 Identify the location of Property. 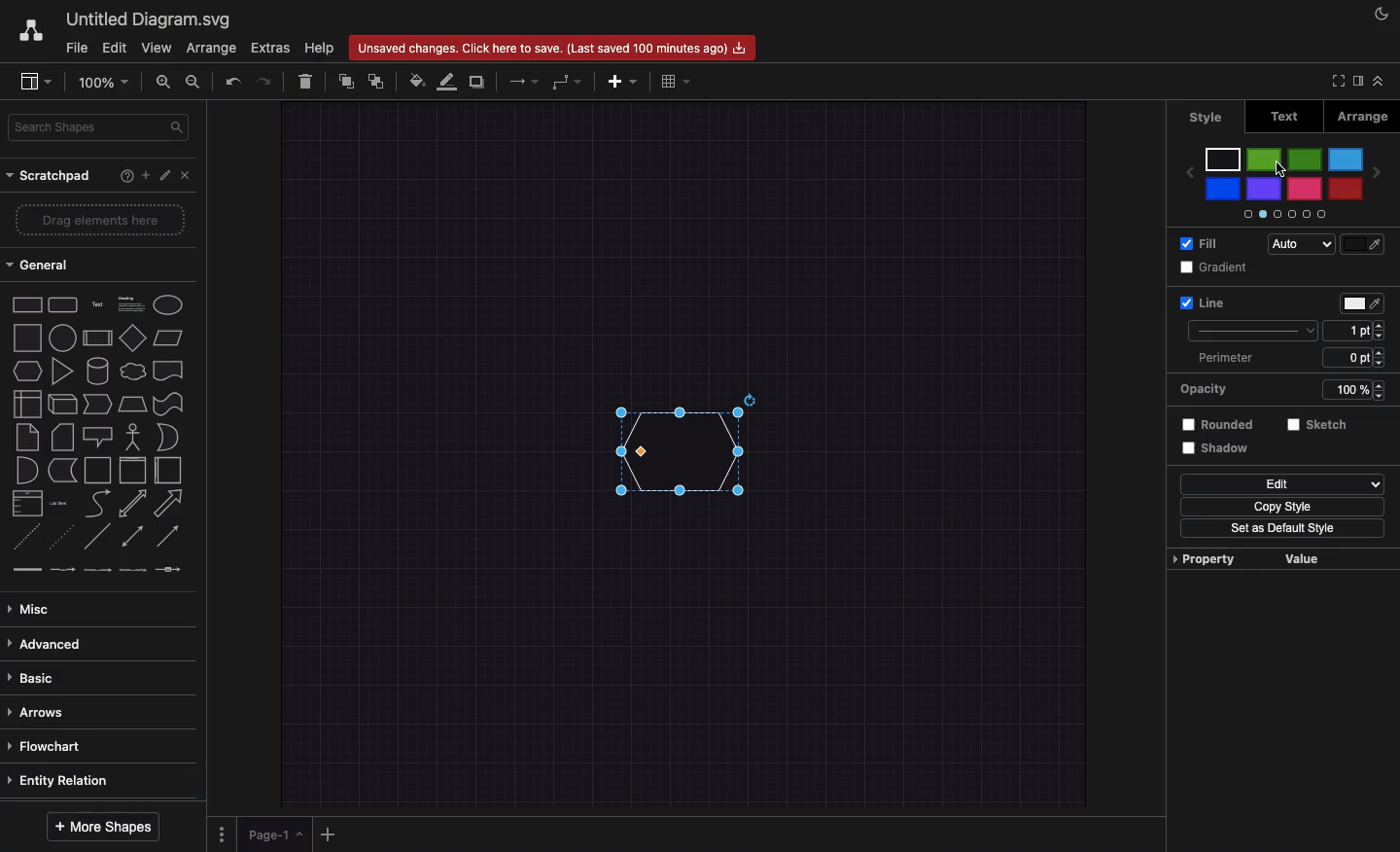
(1210, 560).